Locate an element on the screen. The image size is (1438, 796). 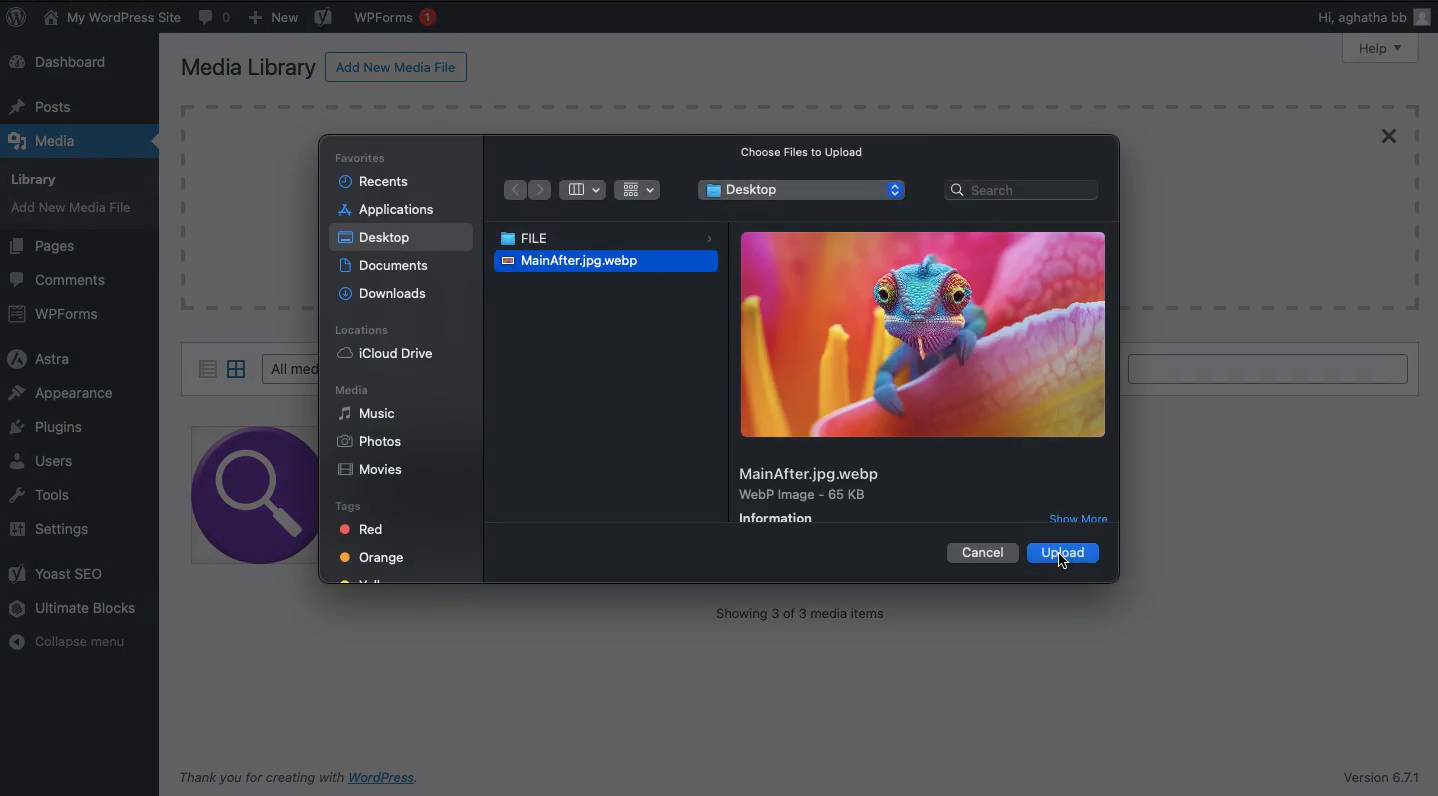
Pages is located at coordinates (47, 248).